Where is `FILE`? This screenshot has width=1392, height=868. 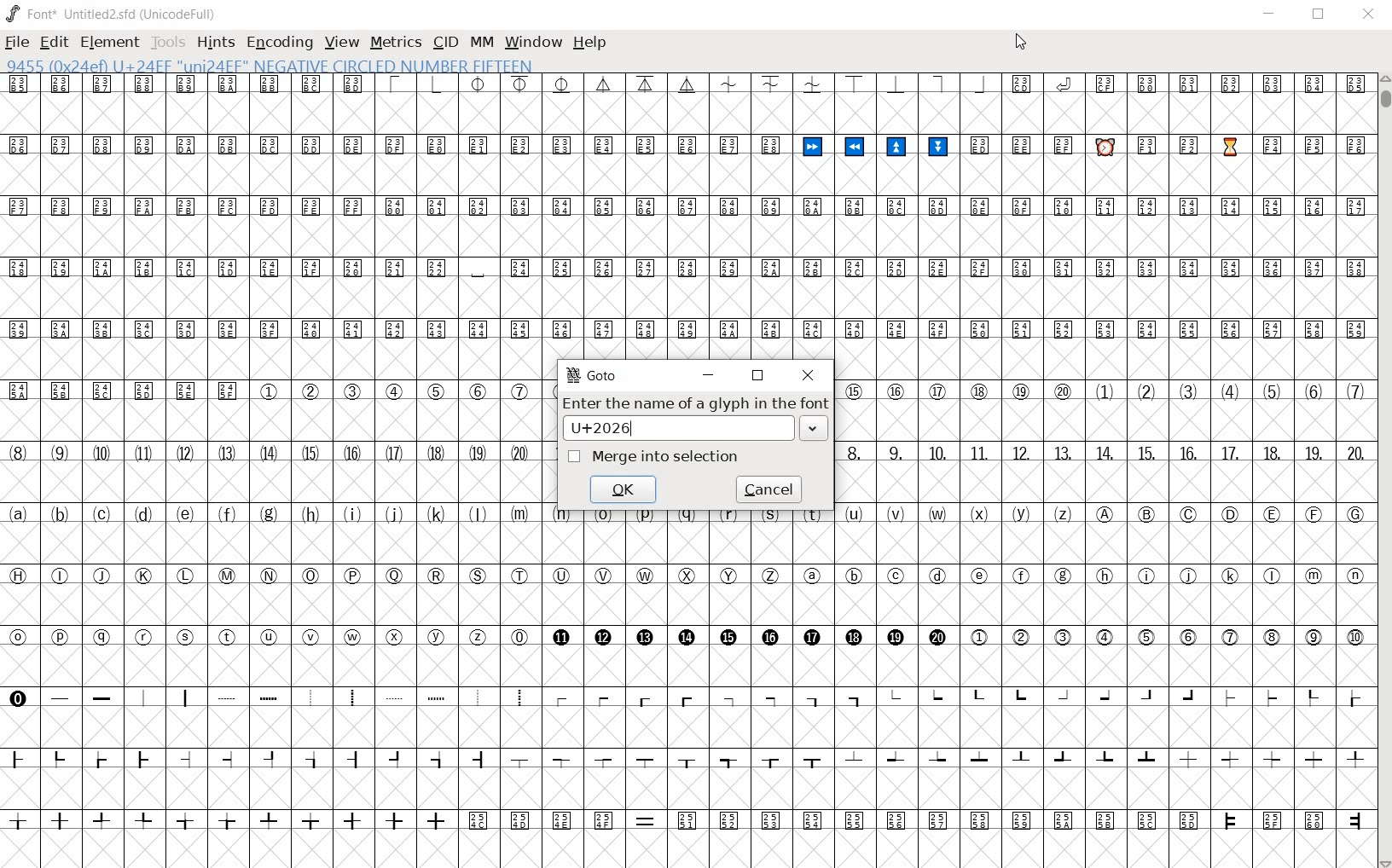
FILE is located at coordinates (17, 42).